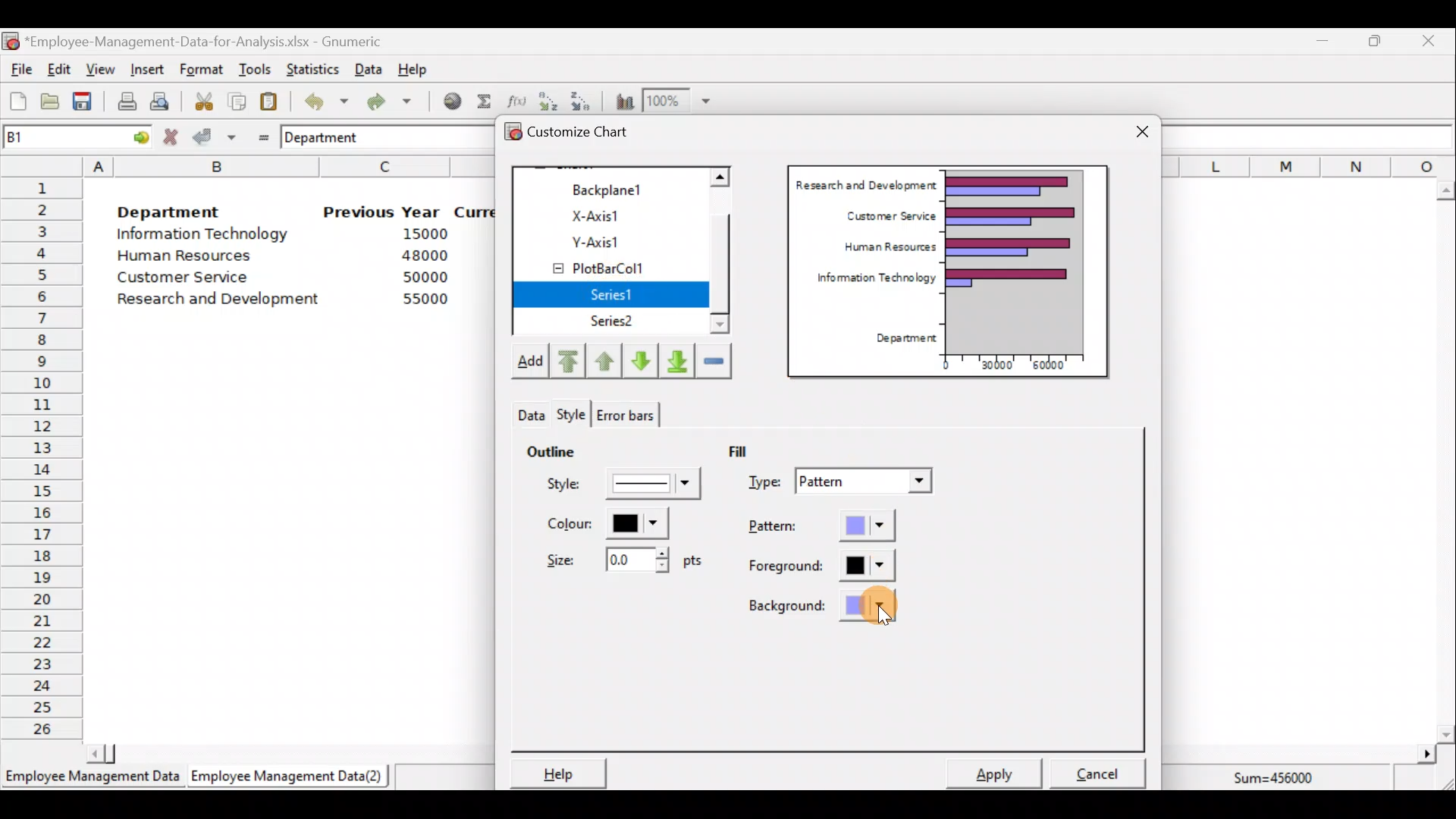  What do you see at coordinates (1445, 462) in the screenshot?
I see `Scroll bar` at bounding box center [1445, 462].